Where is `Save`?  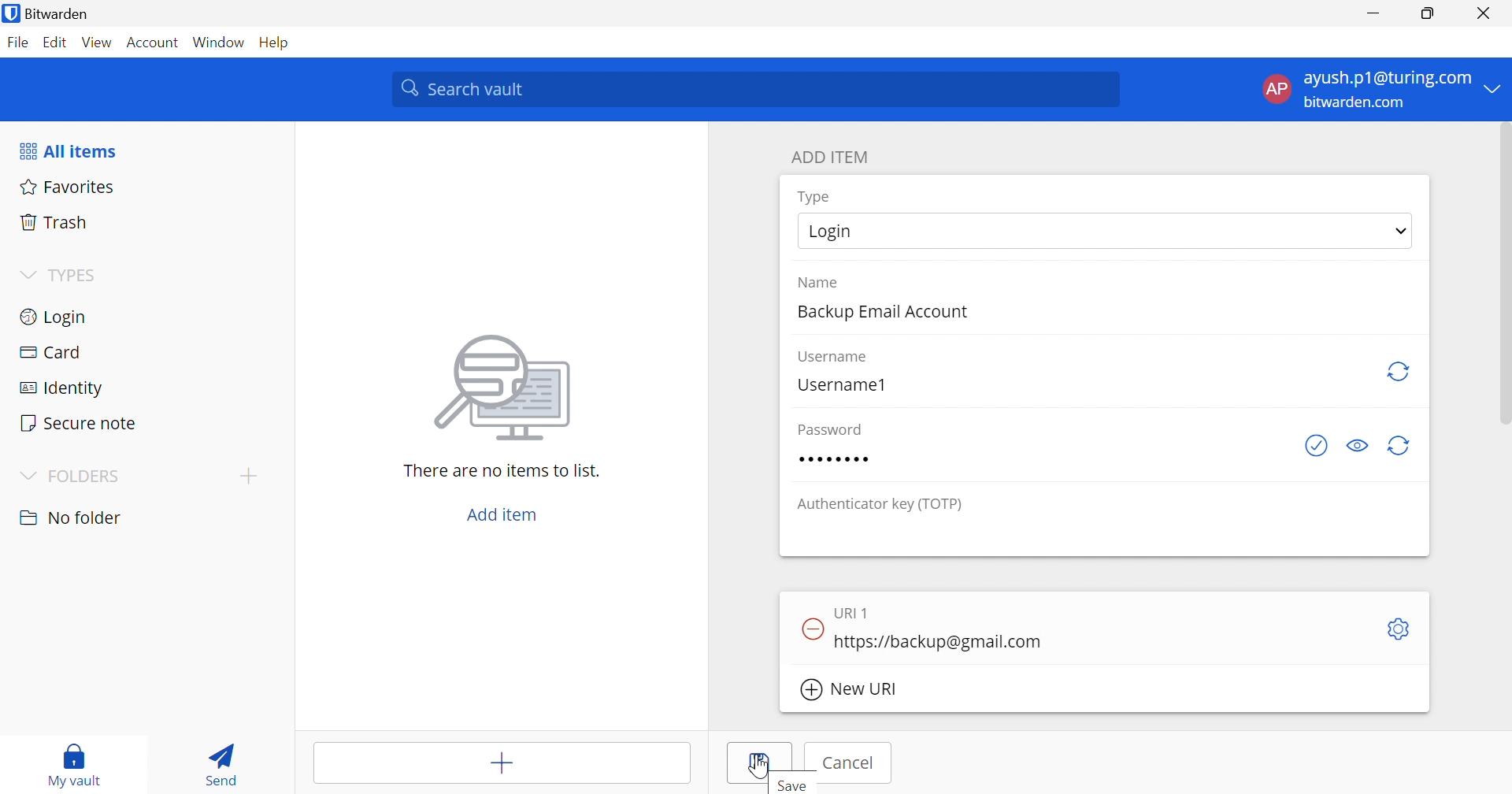 Save is located at coordinates (793, 786).